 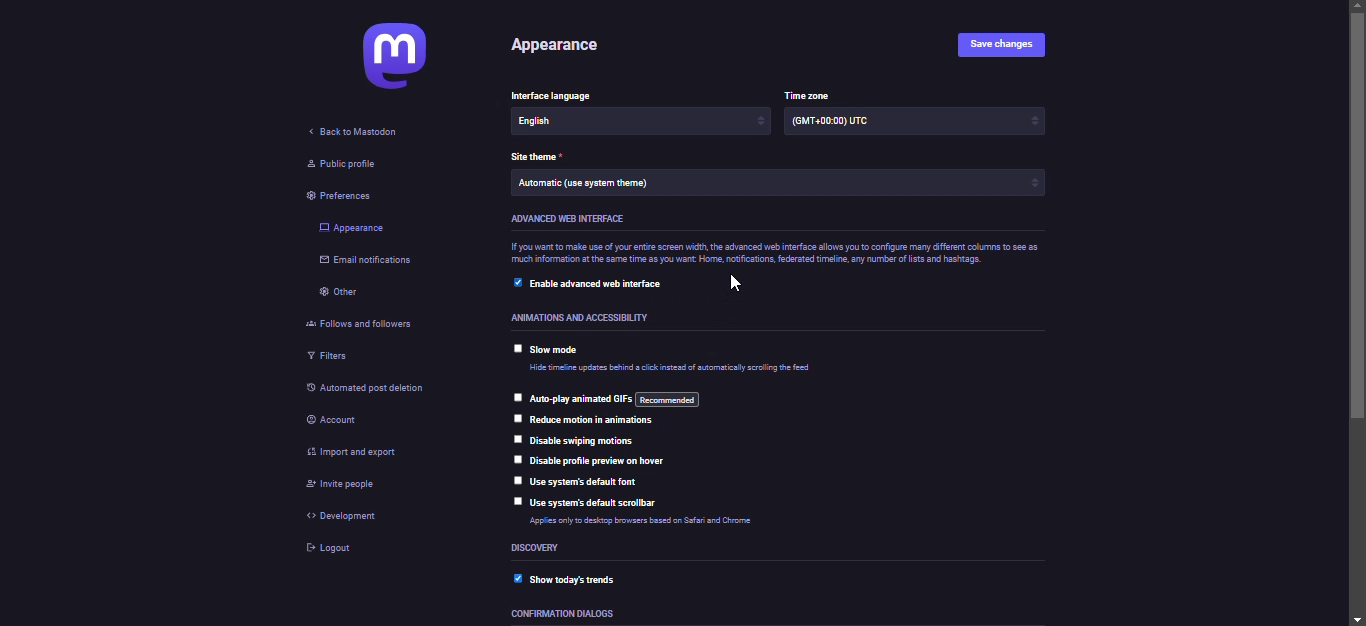 I want to click on Animations and accessibility, so click(x=580, y=317).